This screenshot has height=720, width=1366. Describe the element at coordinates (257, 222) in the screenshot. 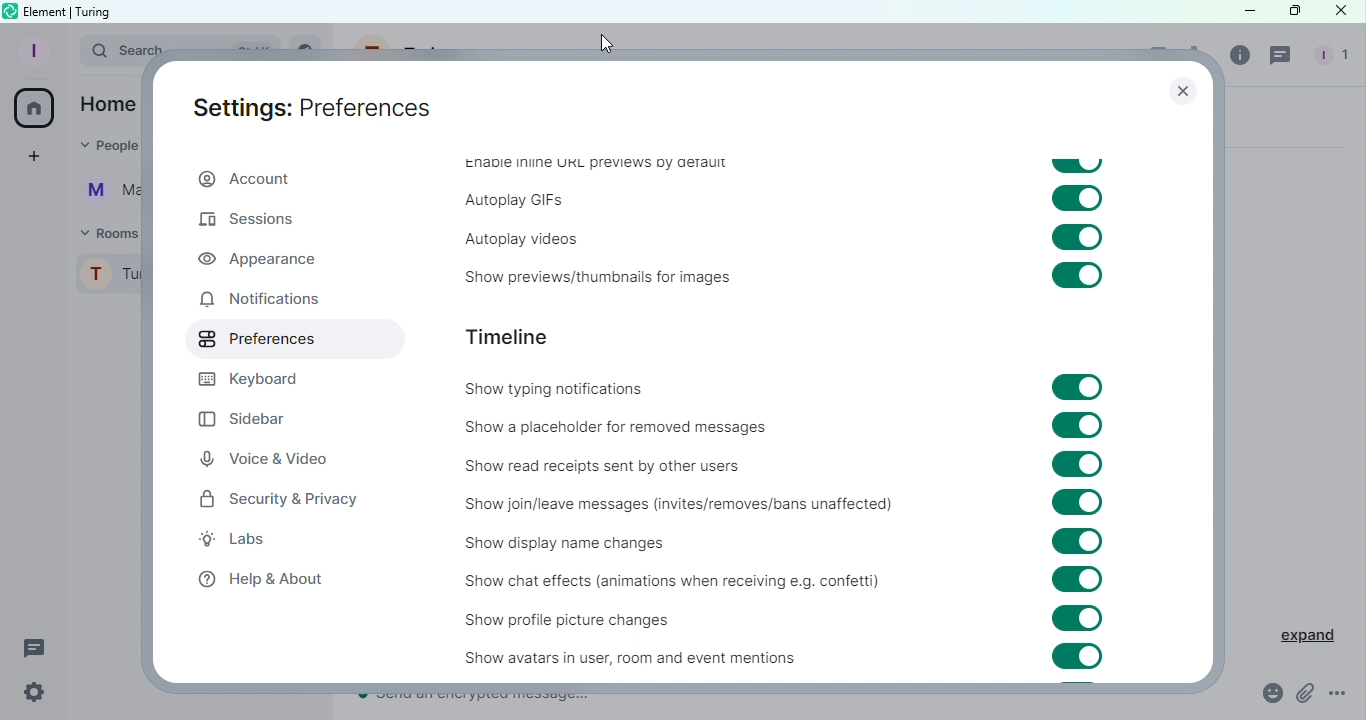

I see `Sessions` at that location.